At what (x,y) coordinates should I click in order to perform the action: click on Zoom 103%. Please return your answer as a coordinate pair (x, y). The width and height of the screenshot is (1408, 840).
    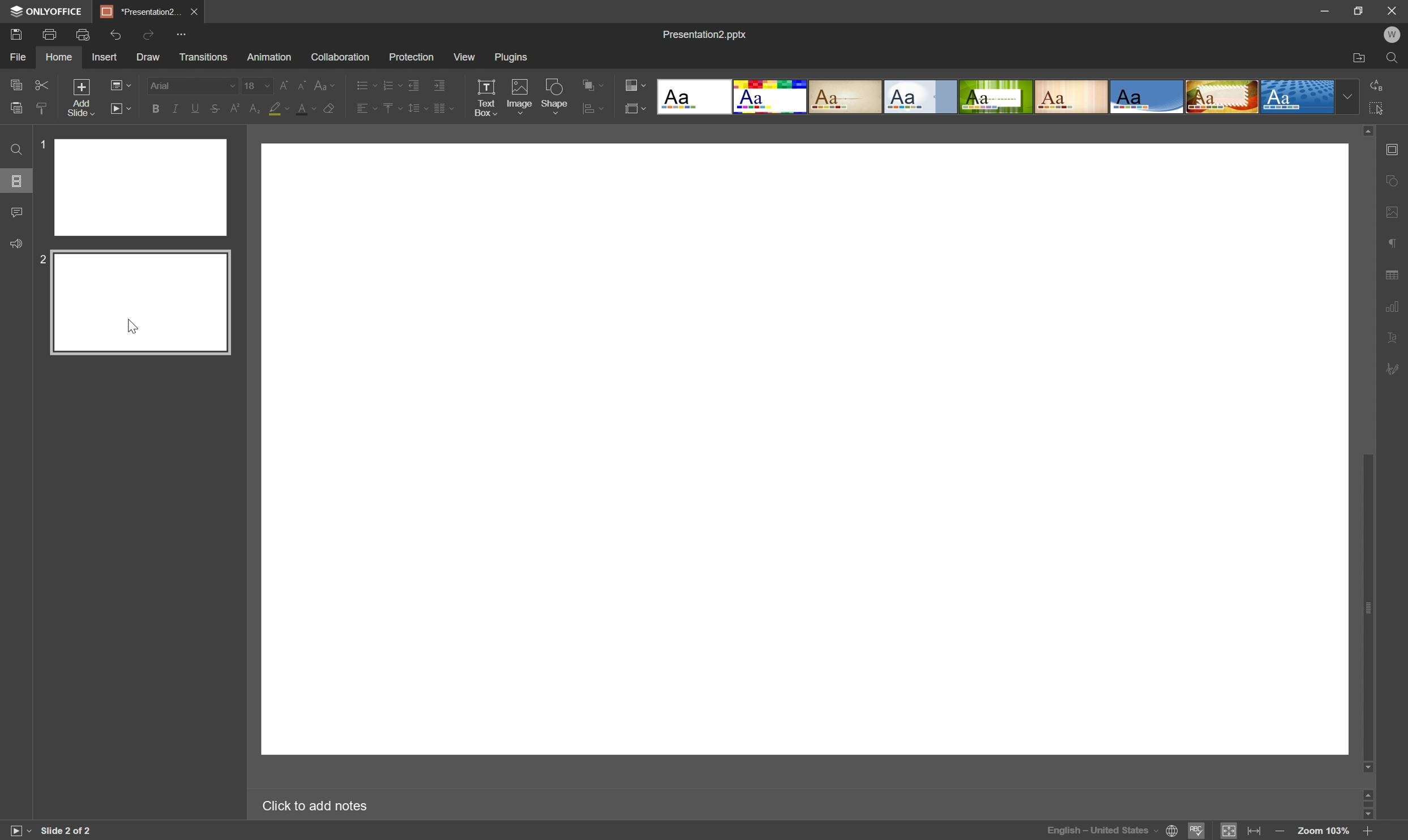
    Looking at the image, I should click on (1324, 832).